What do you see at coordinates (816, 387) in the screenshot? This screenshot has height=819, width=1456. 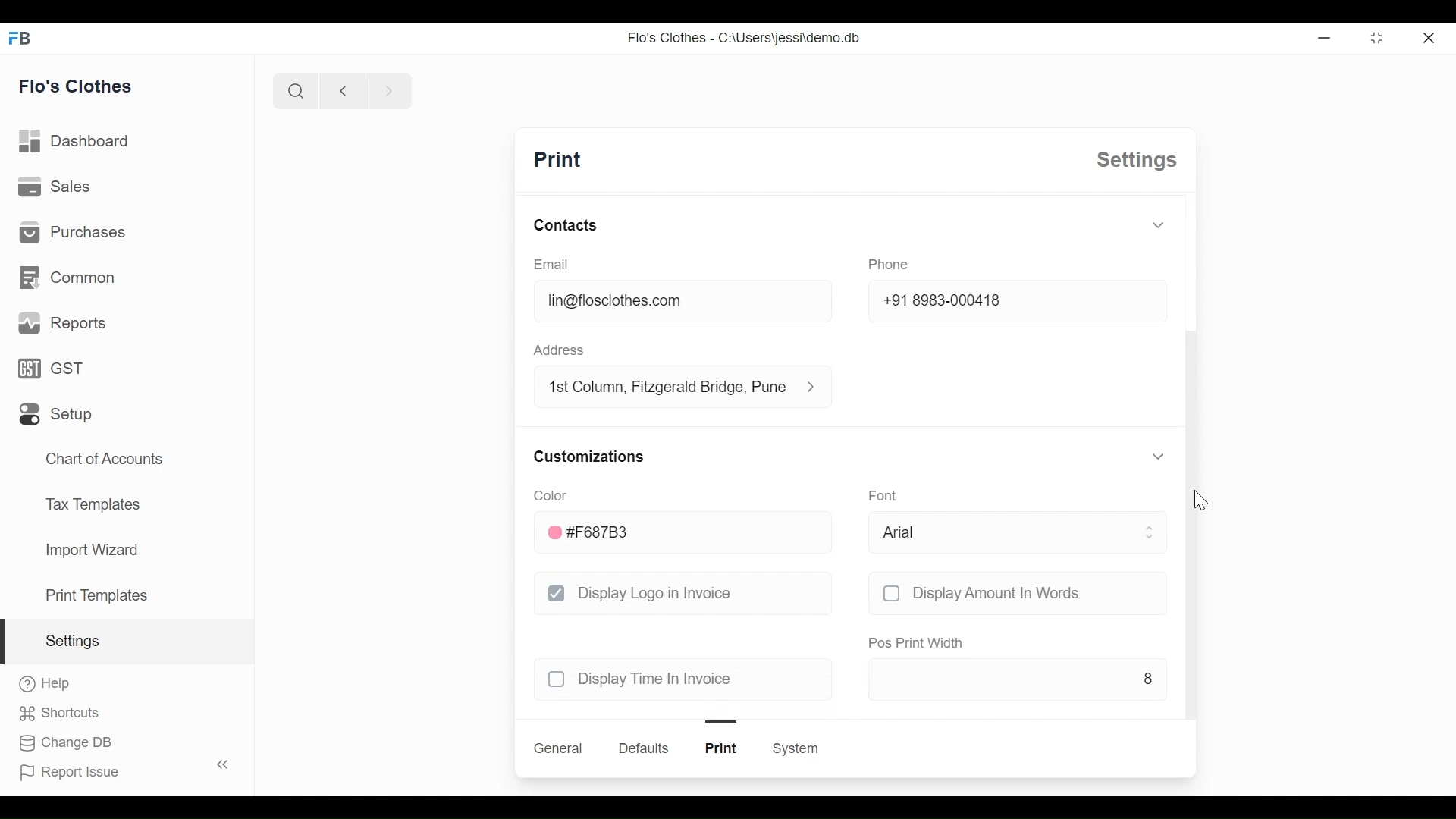 I see `address information` at bounding box center [816, 387].